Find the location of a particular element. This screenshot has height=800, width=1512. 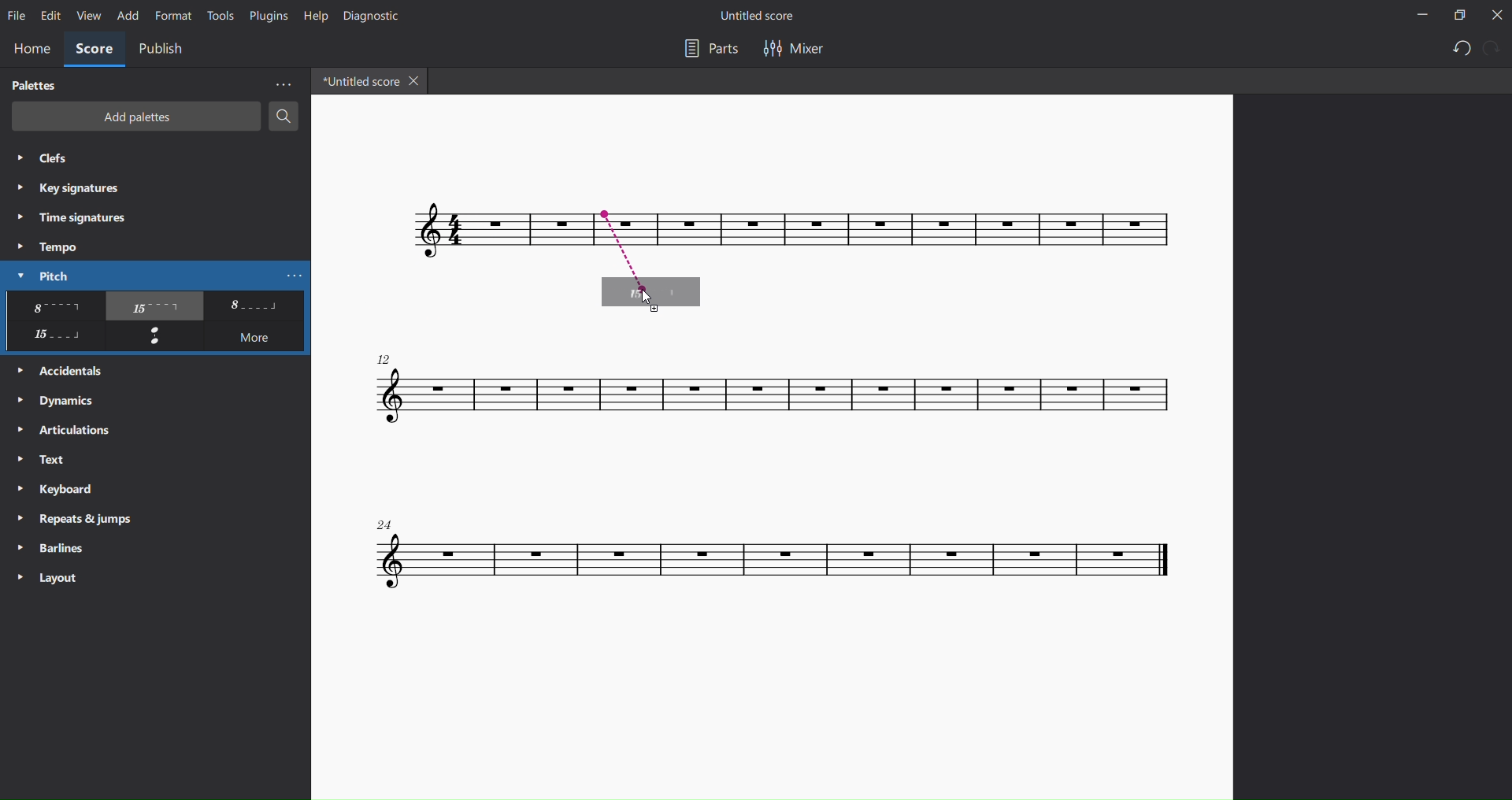

add palettes is located at coordinates (132, 117).